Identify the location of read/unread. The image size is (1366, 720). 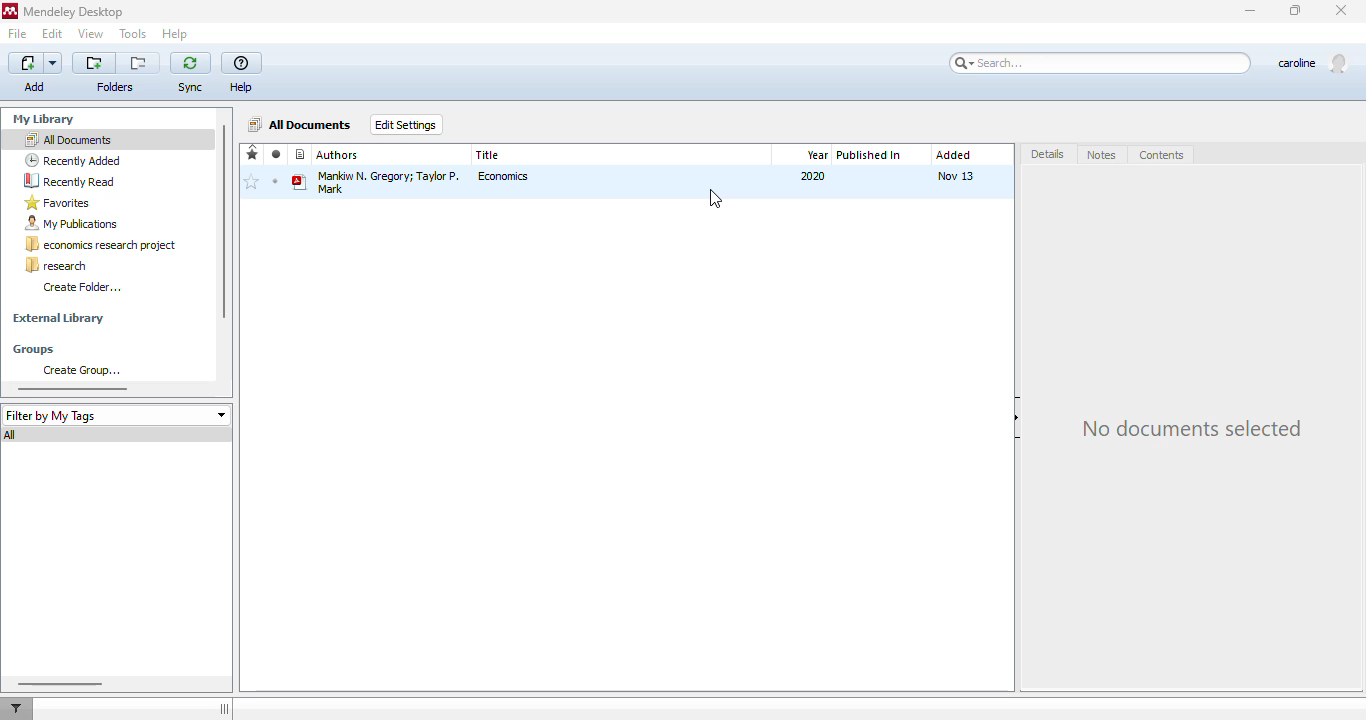
(276, 153).